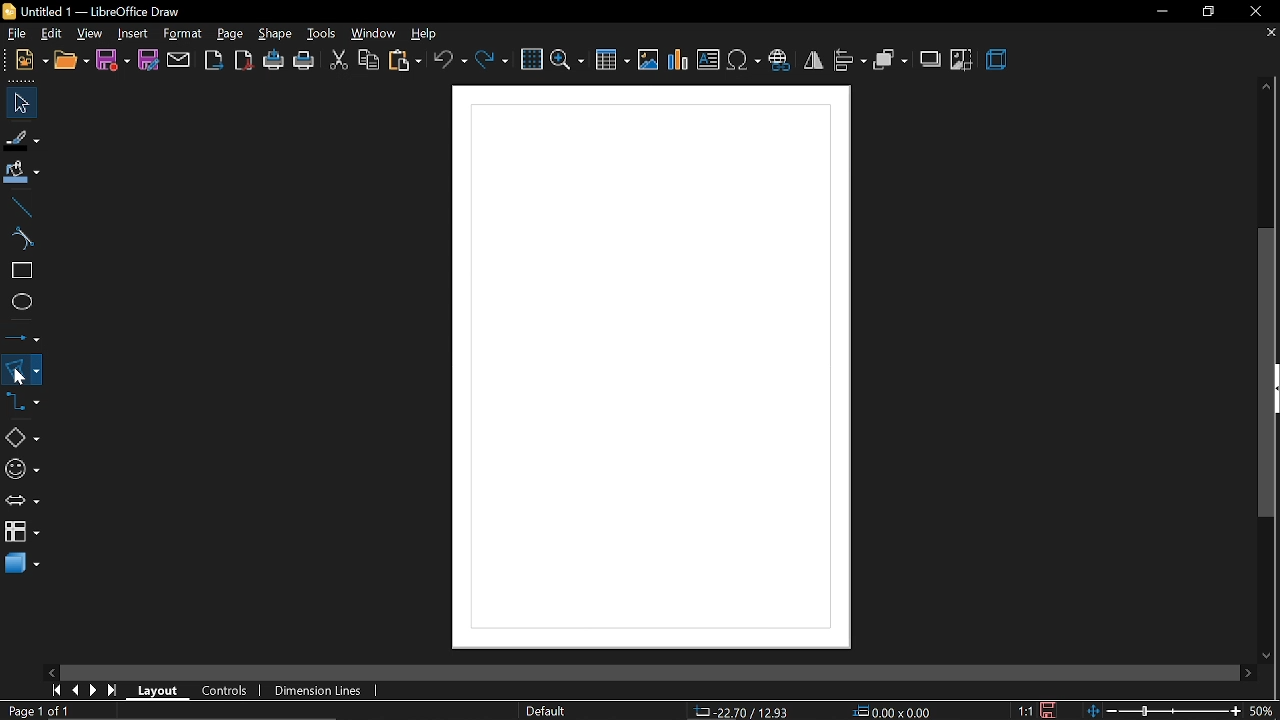  I want to click on change zoom, so click(1163, 709).